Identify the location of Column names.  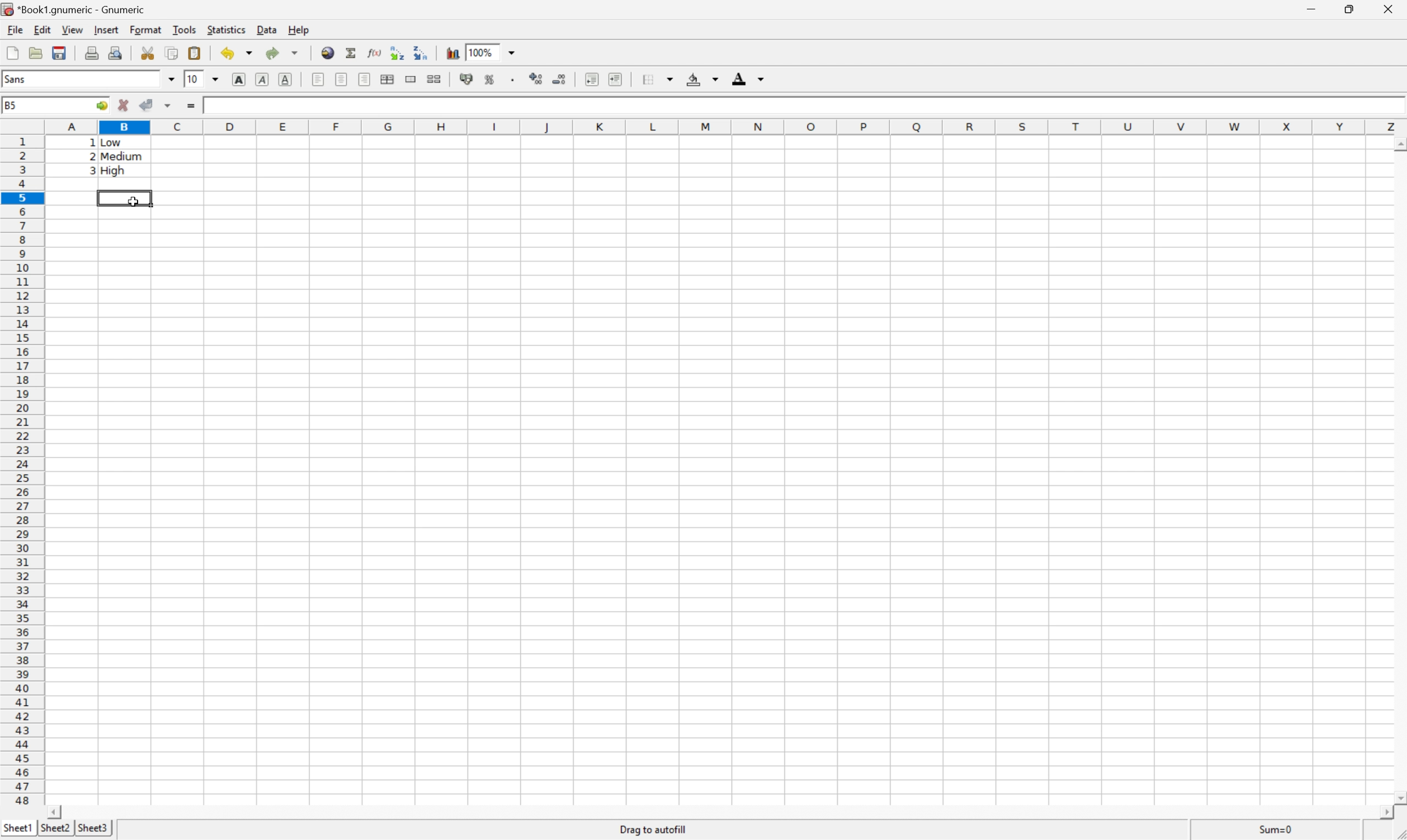
(723, 127).